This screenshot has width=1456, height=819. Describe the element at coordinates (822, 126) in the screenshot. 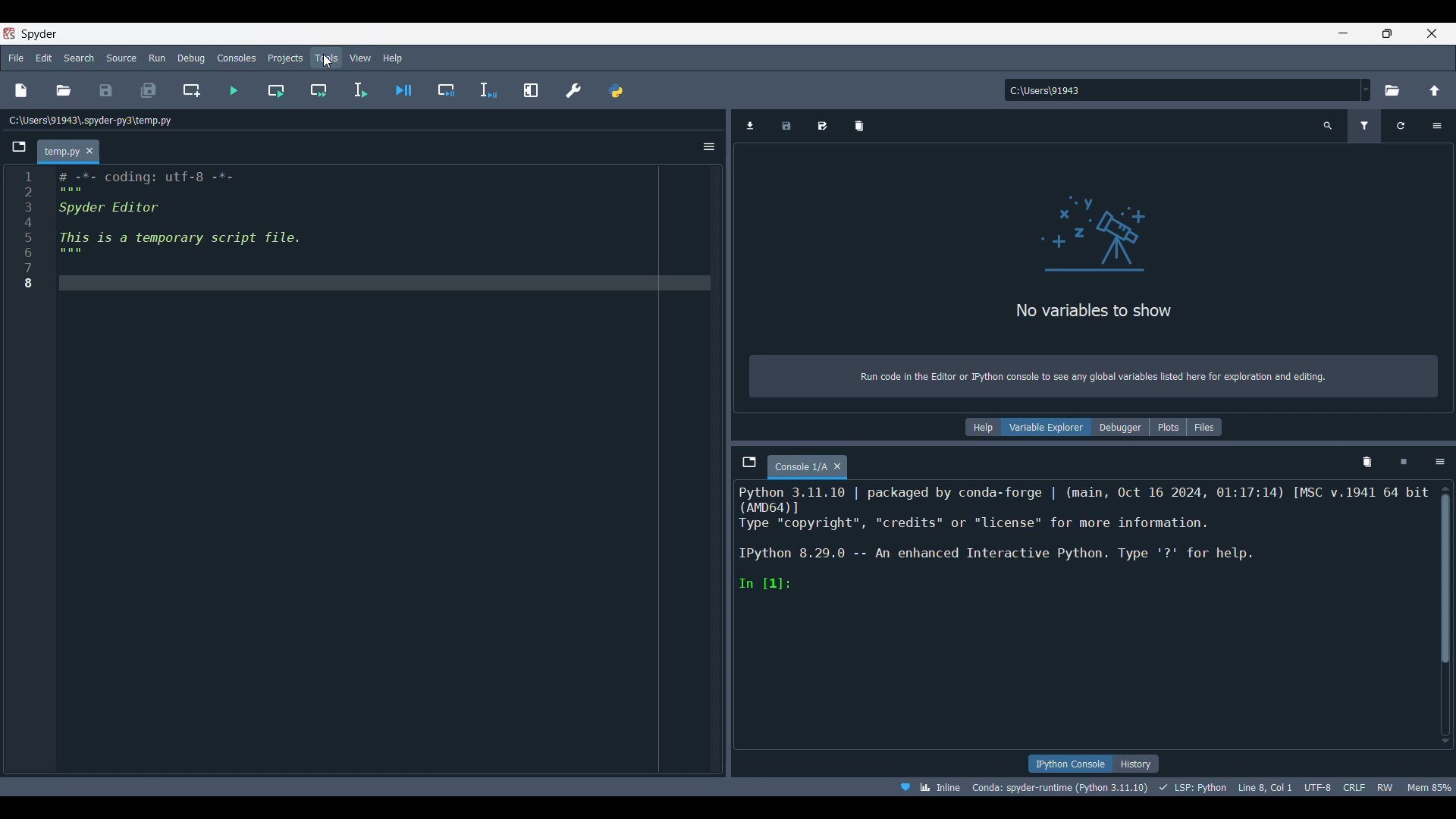

I see `Save data as` at that location.